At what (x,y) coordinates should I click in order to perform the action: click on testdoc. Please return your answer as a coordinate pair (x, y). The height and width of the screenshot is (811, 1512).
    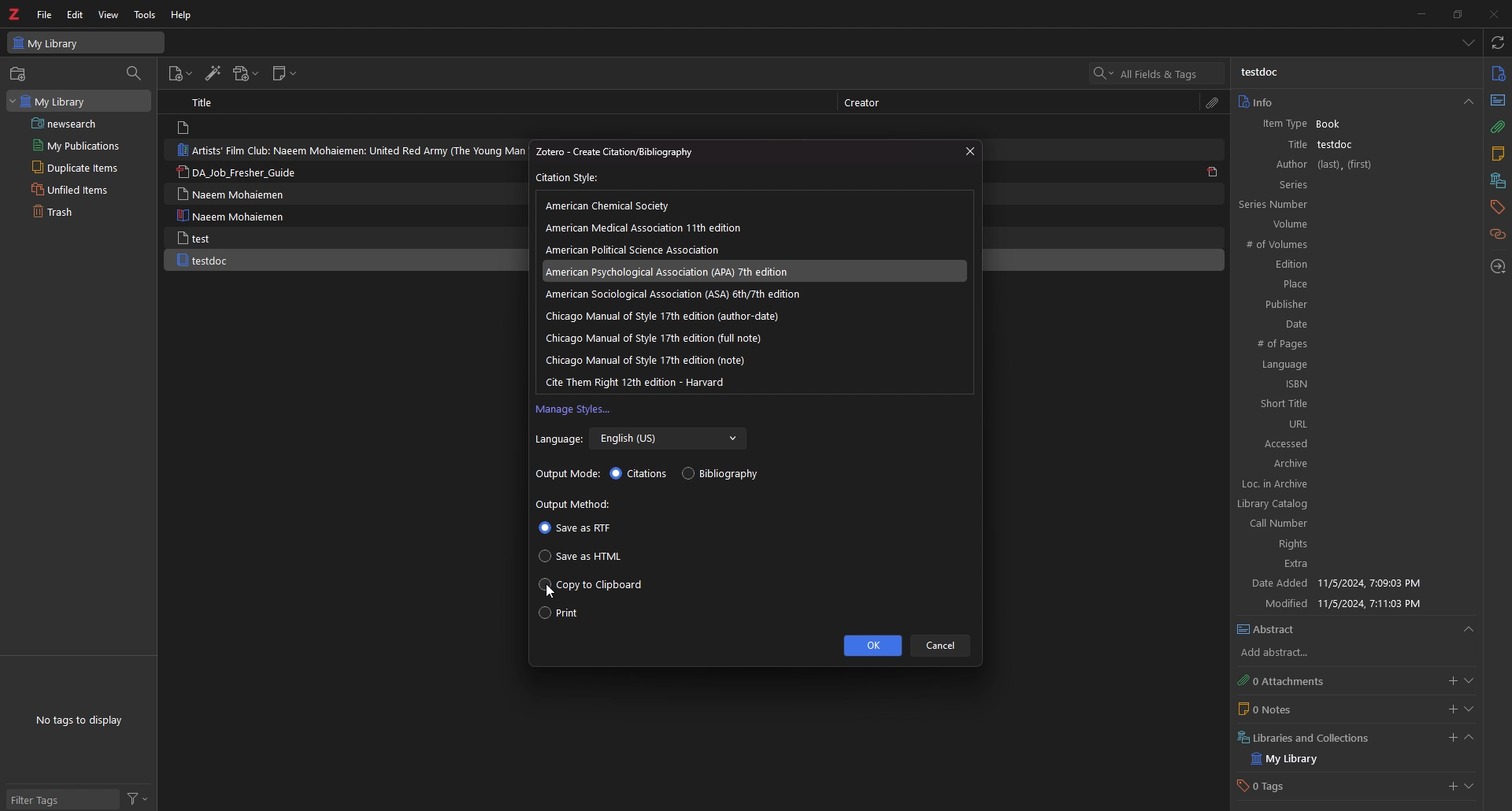
    Looking at the image, I should click on (1262, 72).